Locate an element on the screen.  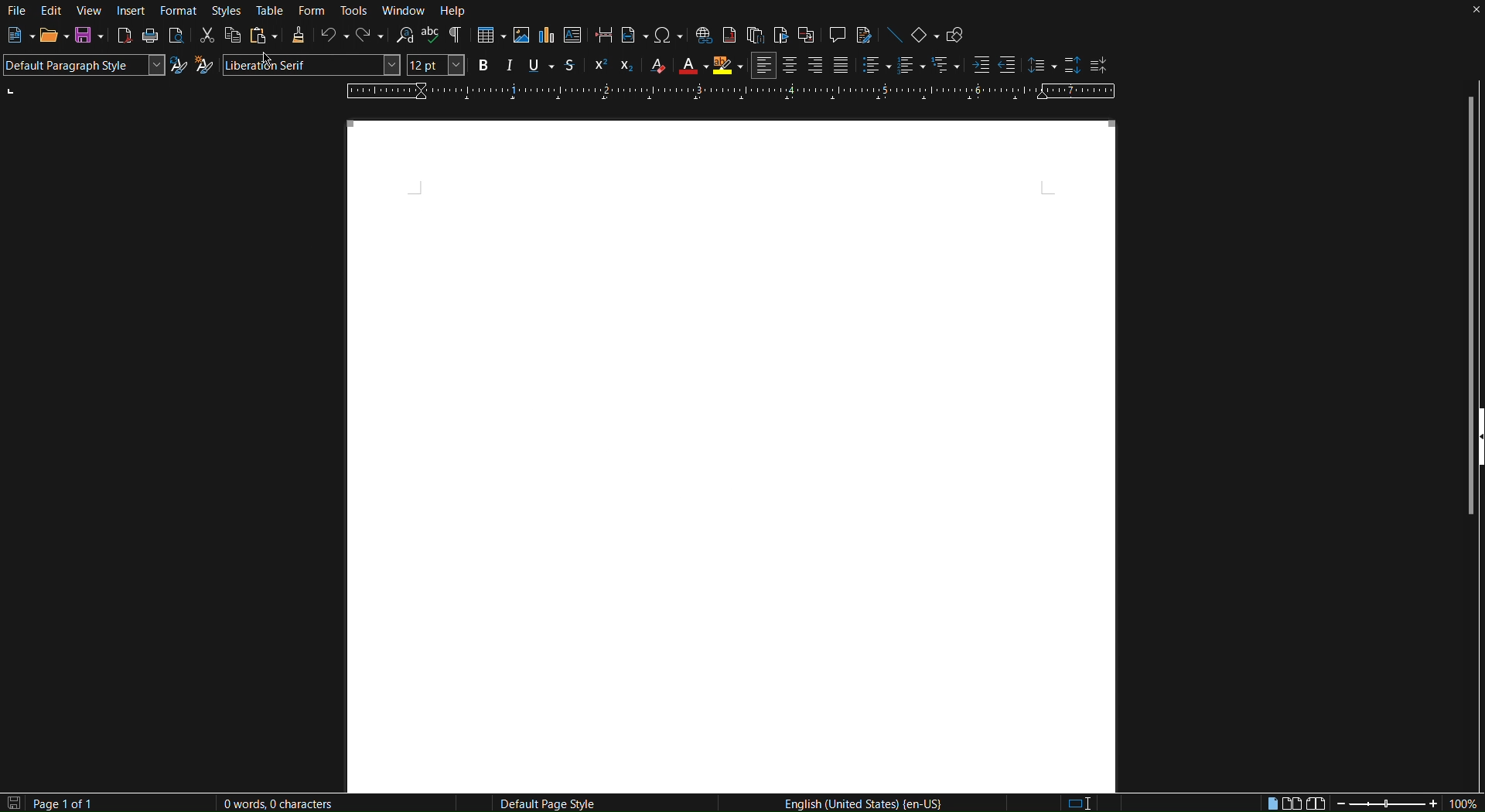
Default Page Style is located at coordinates (551, 804).